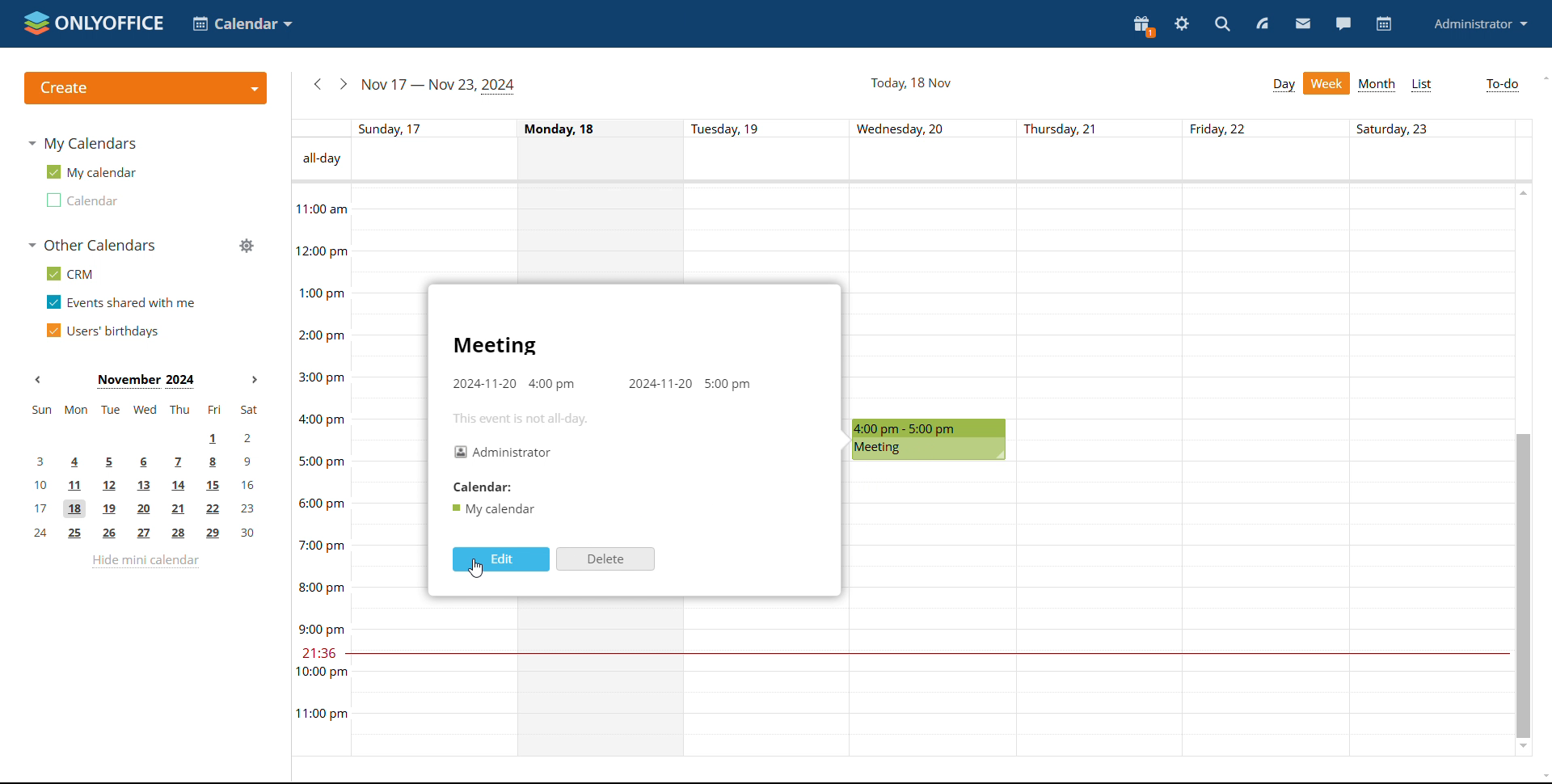 The image size is (1552, 784). Describe the element at coordinates (1525, 748) in the screenshot. I see `scroll down` at that location.